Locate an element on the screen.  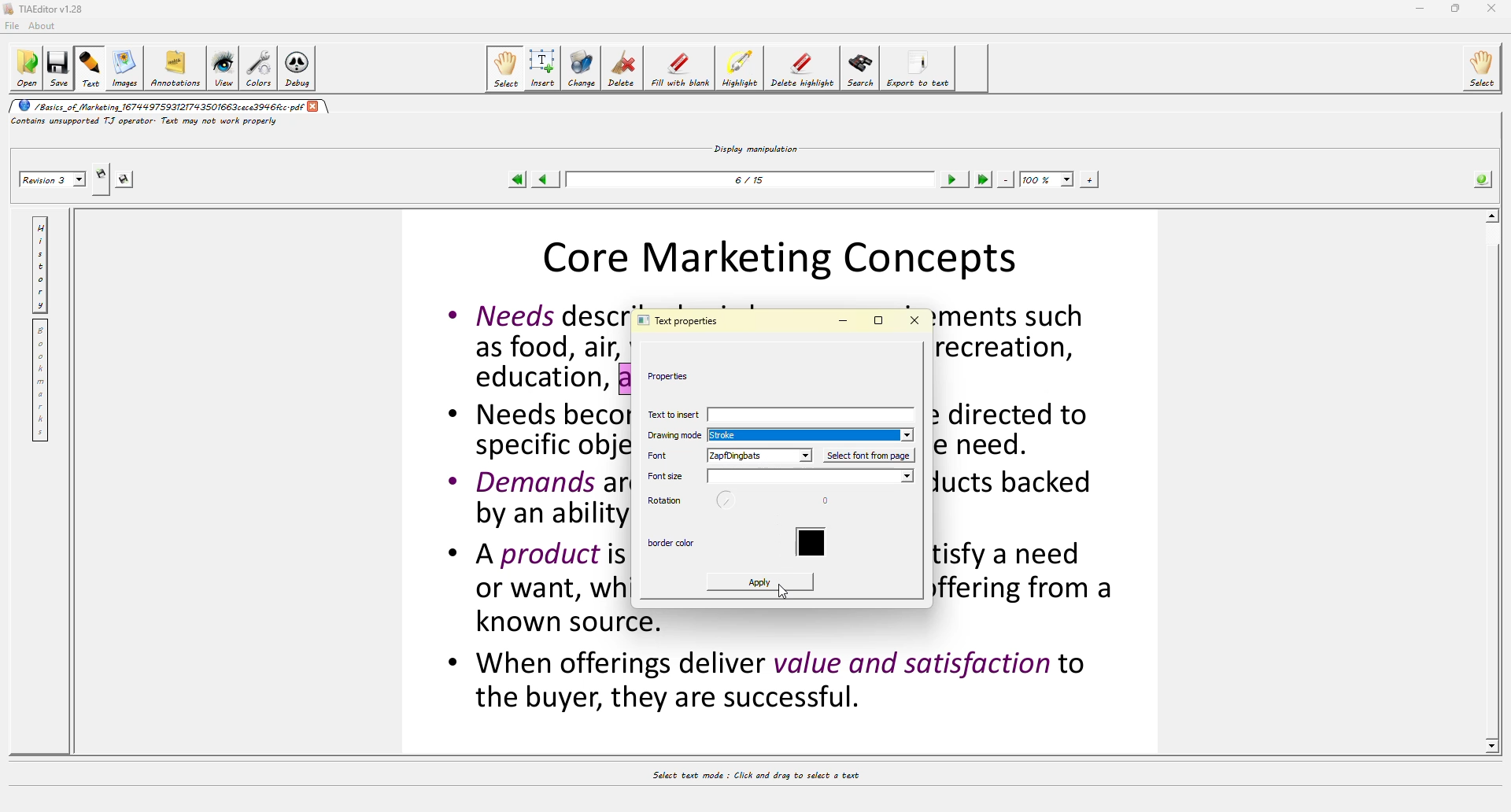
save is located at coordinates (57, 68).